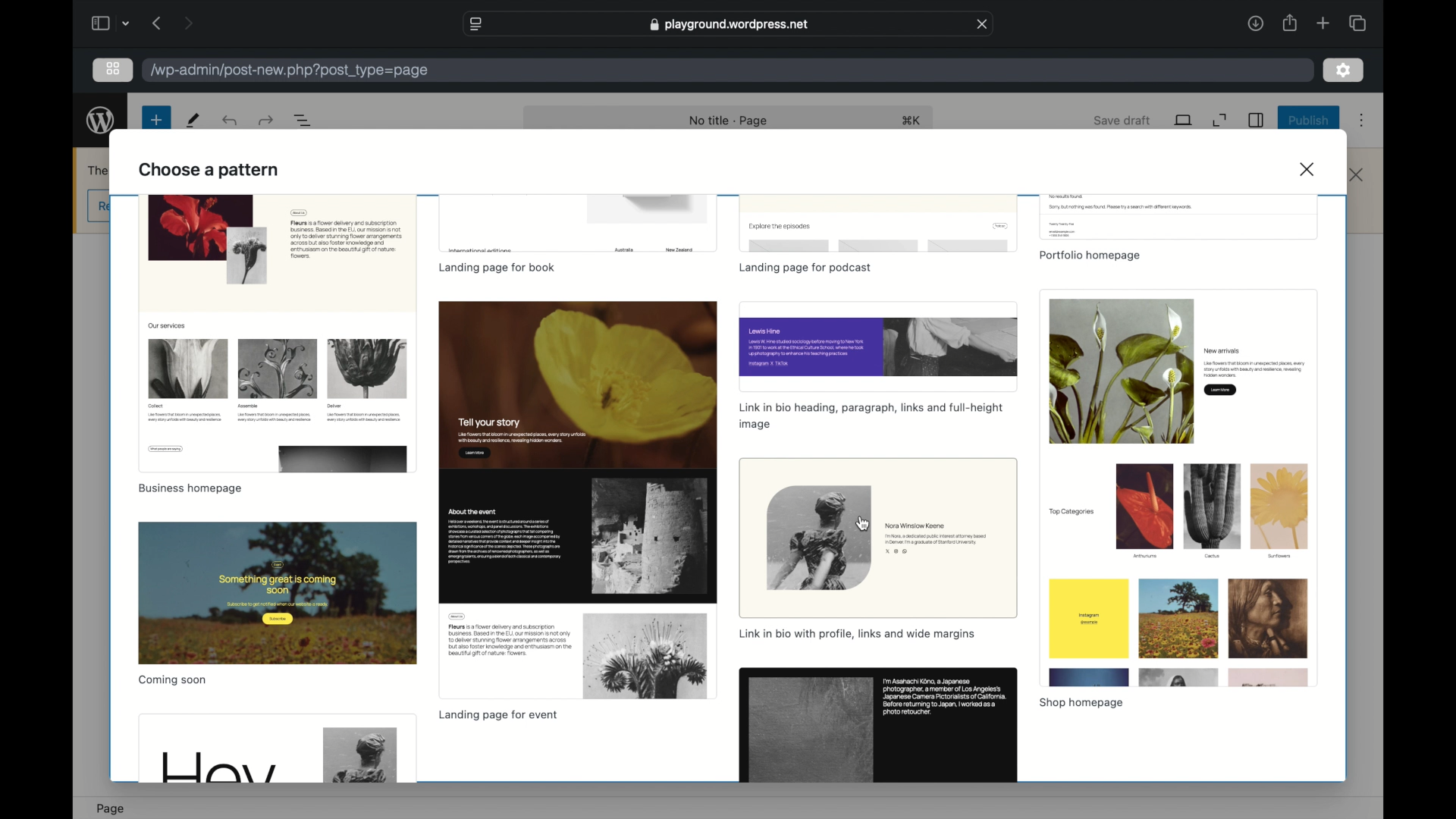 The height and width of the screenshot is (819, 1456). What do you see at coordinates (982, 24) in the screenshot?
I see `close` at bounding box center [982, 24].